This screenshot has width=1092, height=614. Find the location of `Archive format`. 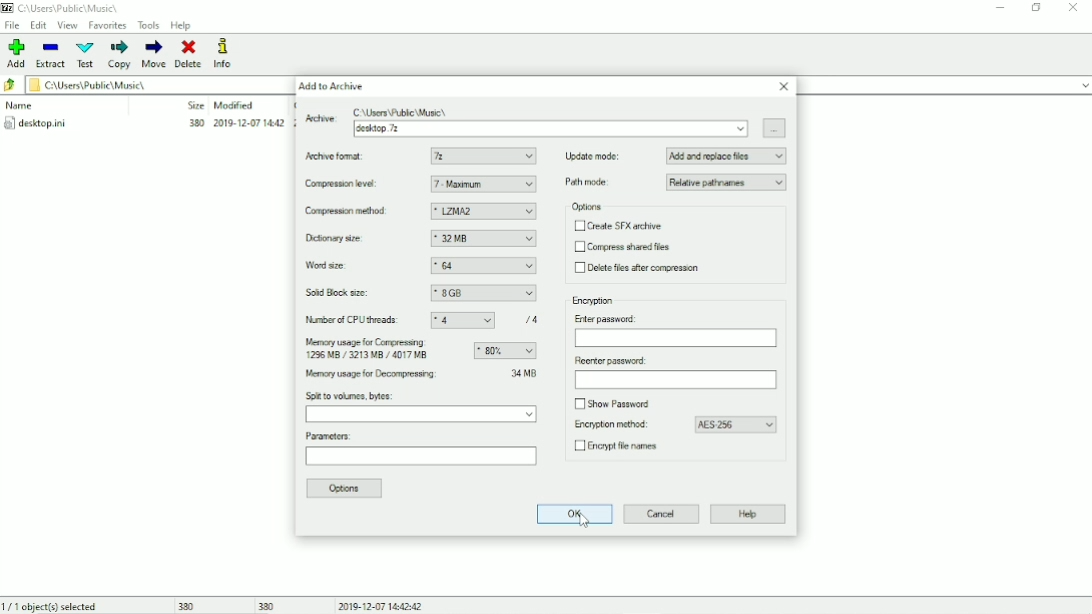

Archive format is located at coordinates (338, 156).